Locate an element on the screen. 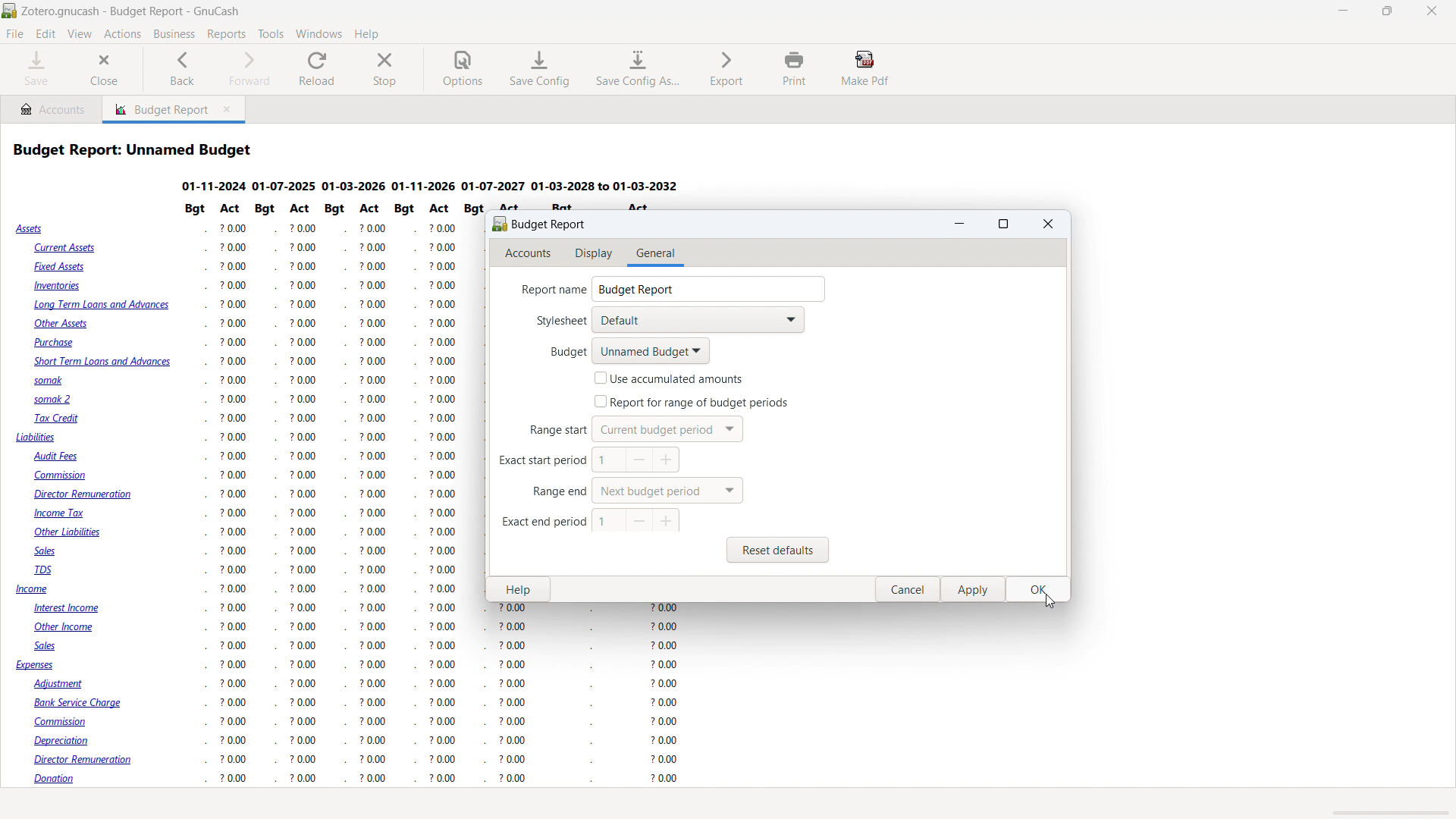 The width and height of the screenshot is (1456, 819). business is located at coordinates (174, 34).